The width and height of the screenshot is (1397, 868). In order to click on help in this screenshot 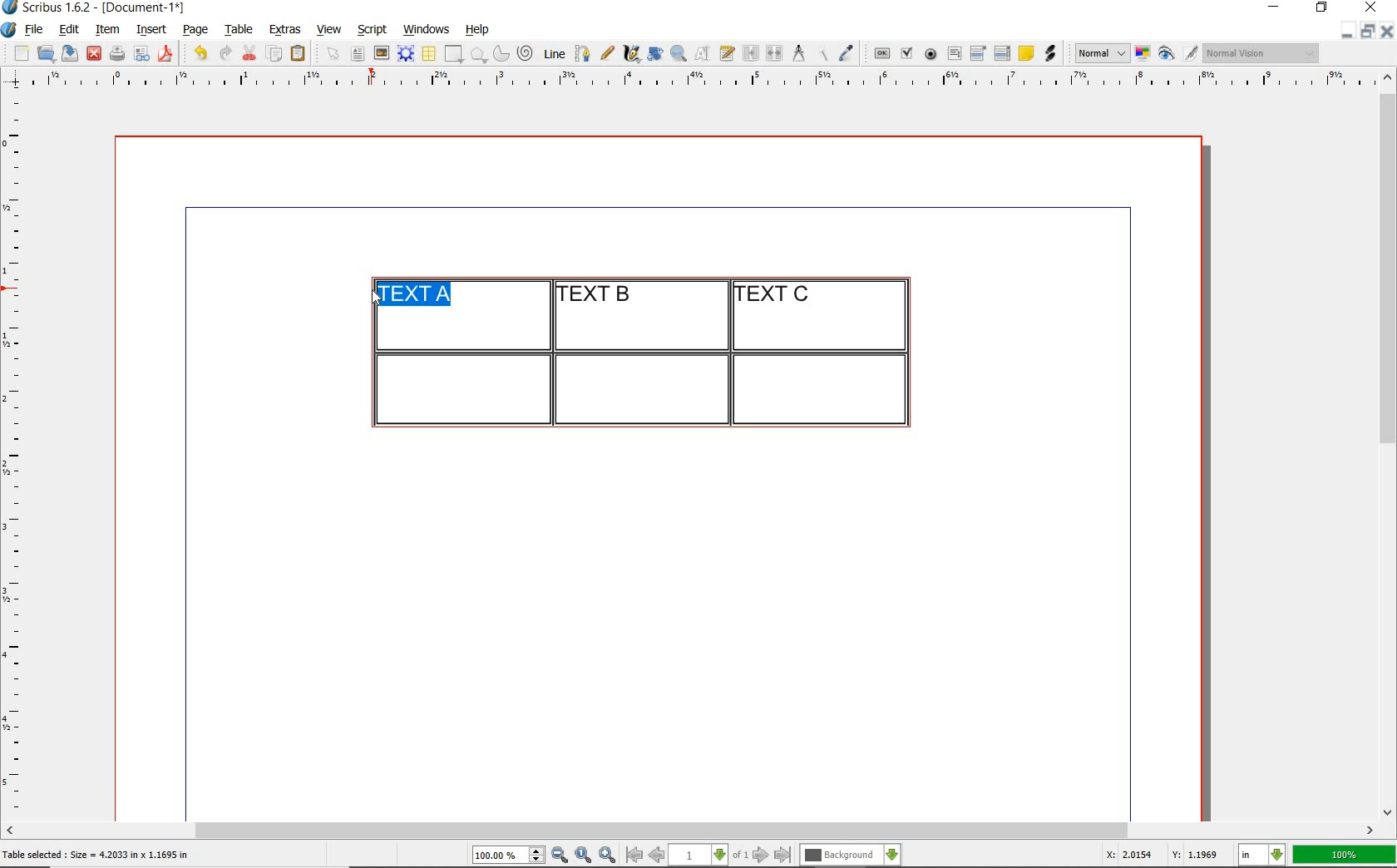, I will do `click(476, 31)`.